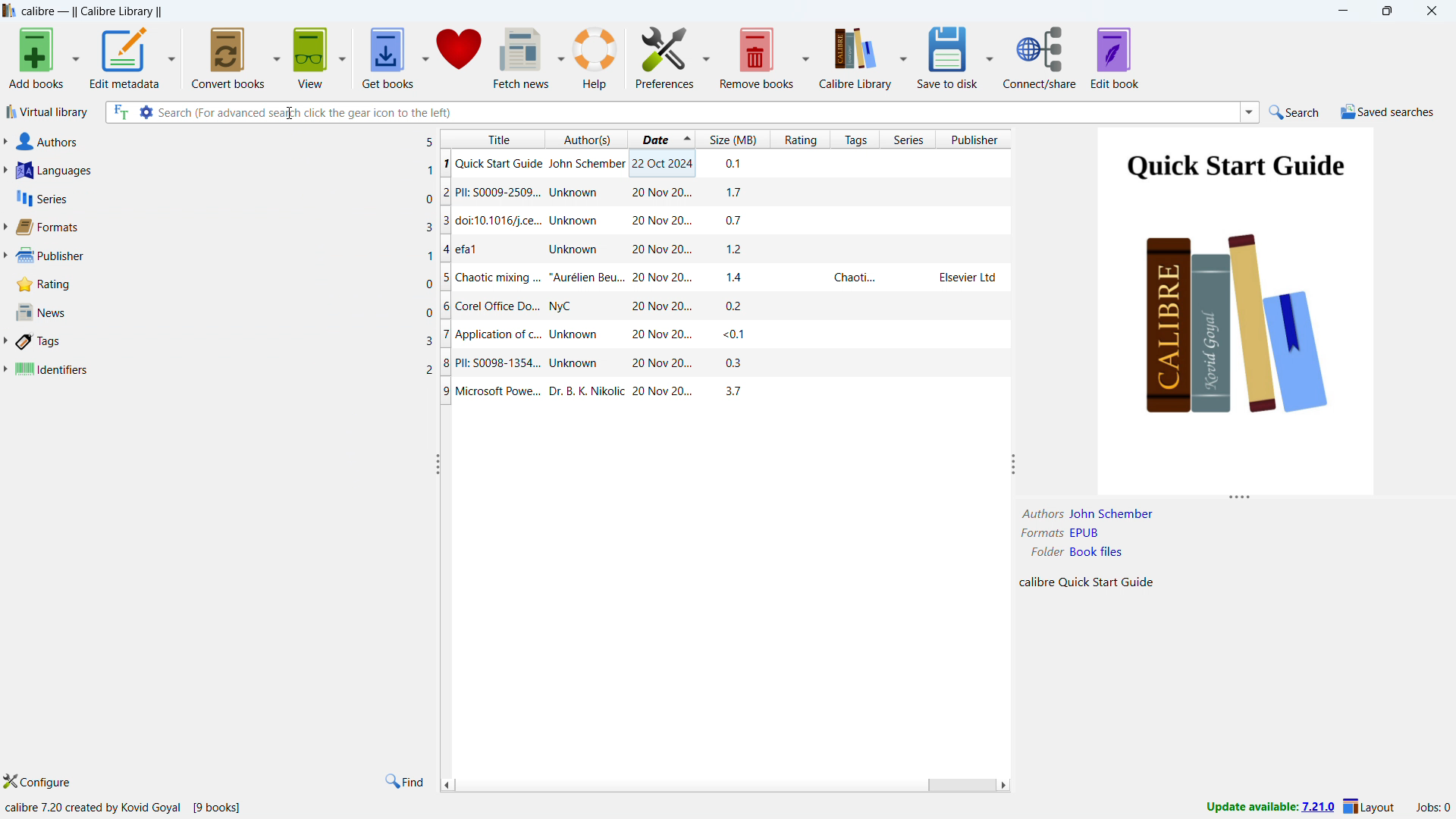  Describe the element at coordinates (1112, 513) in the screenshot. I see `John Schember` at that location.